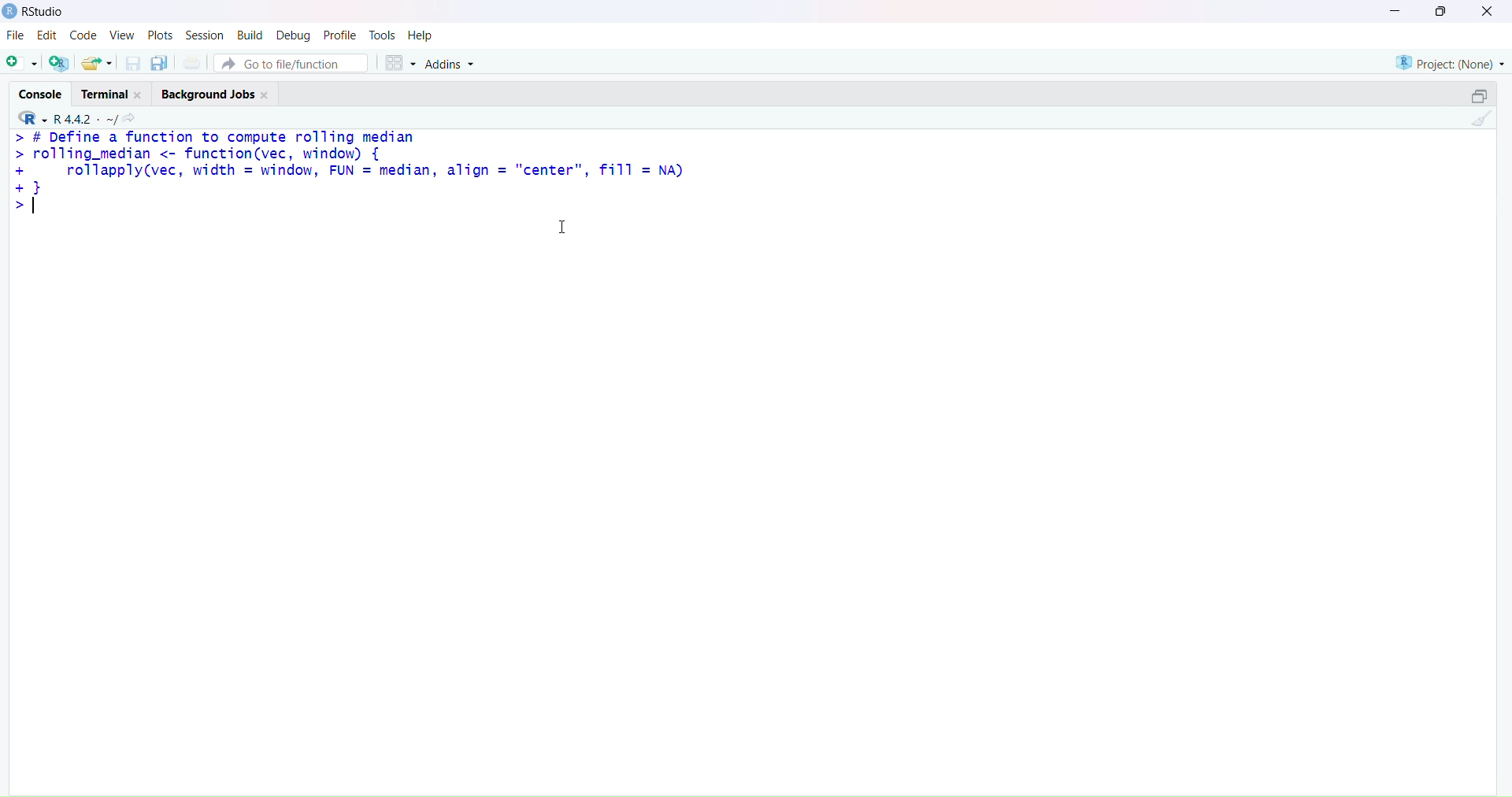  Describe the element at coordinates (85, 119) in the screenshot. I see `R 4.4.2 ~/` at that location.